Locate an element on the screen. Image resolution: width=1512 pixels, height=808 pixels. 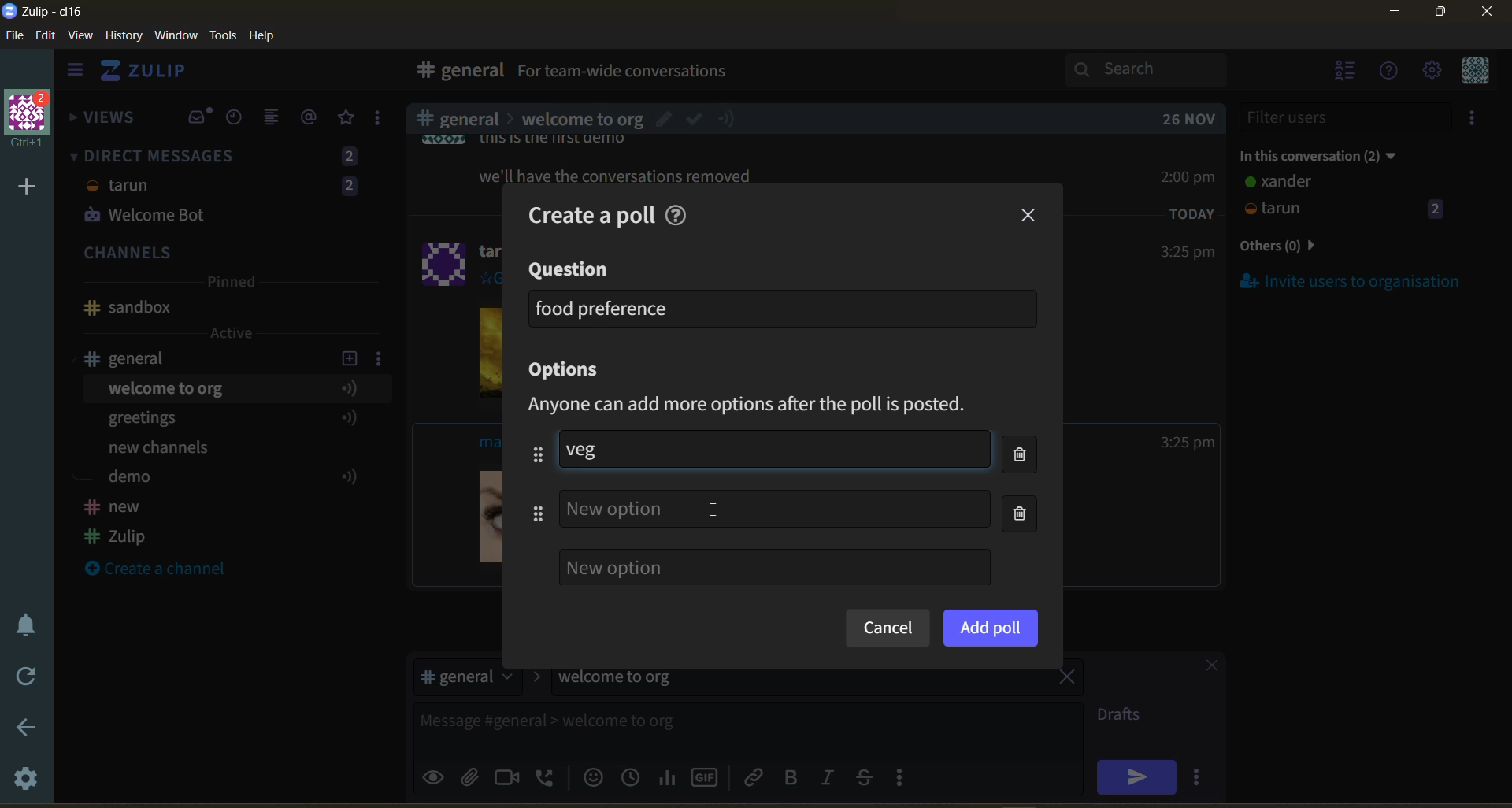
cursor is located at coordinates (719, 508).